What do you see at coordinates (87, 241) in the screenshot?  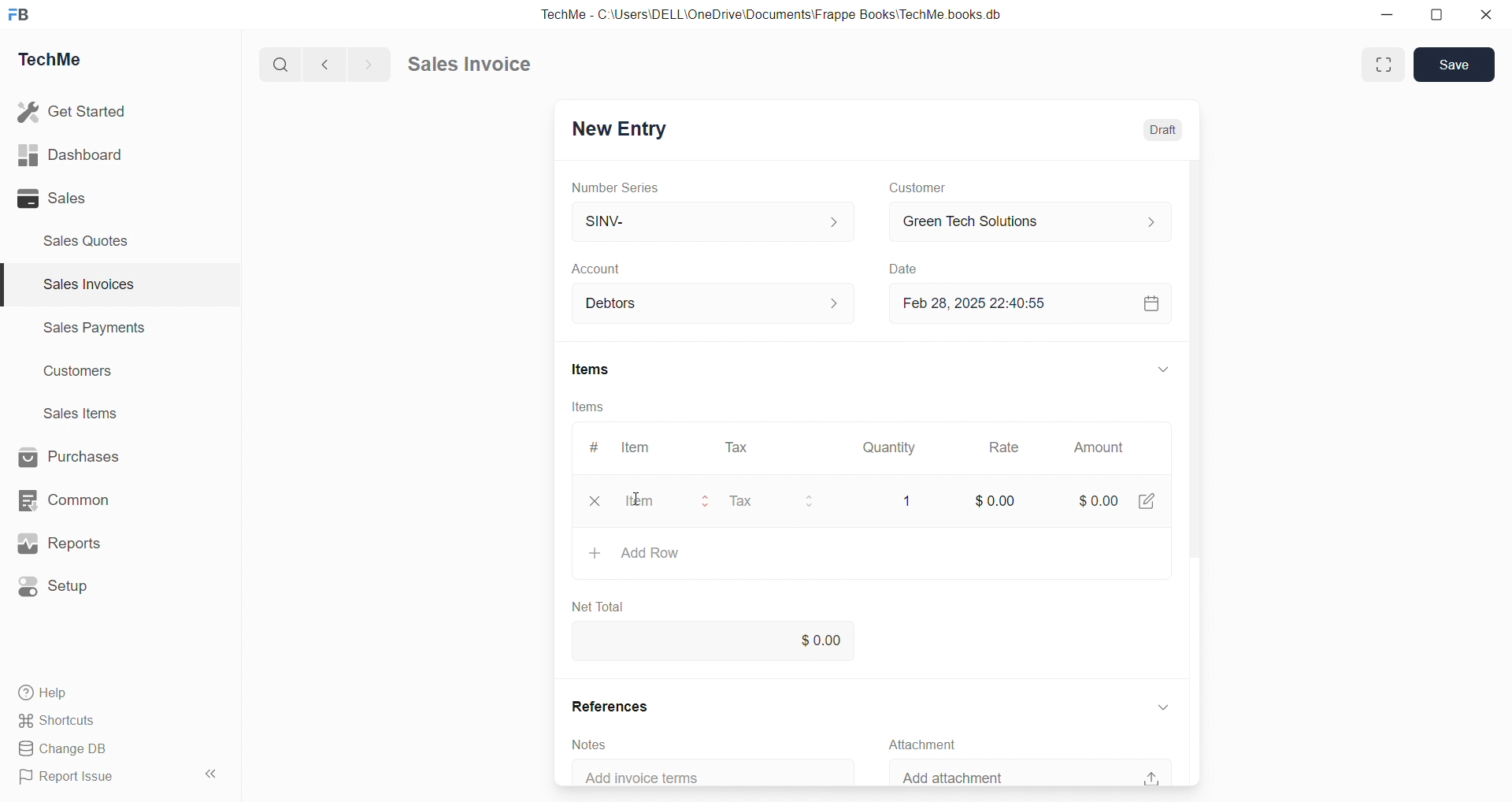 I see `Sales Quotes` at bounding box center [87, 241].